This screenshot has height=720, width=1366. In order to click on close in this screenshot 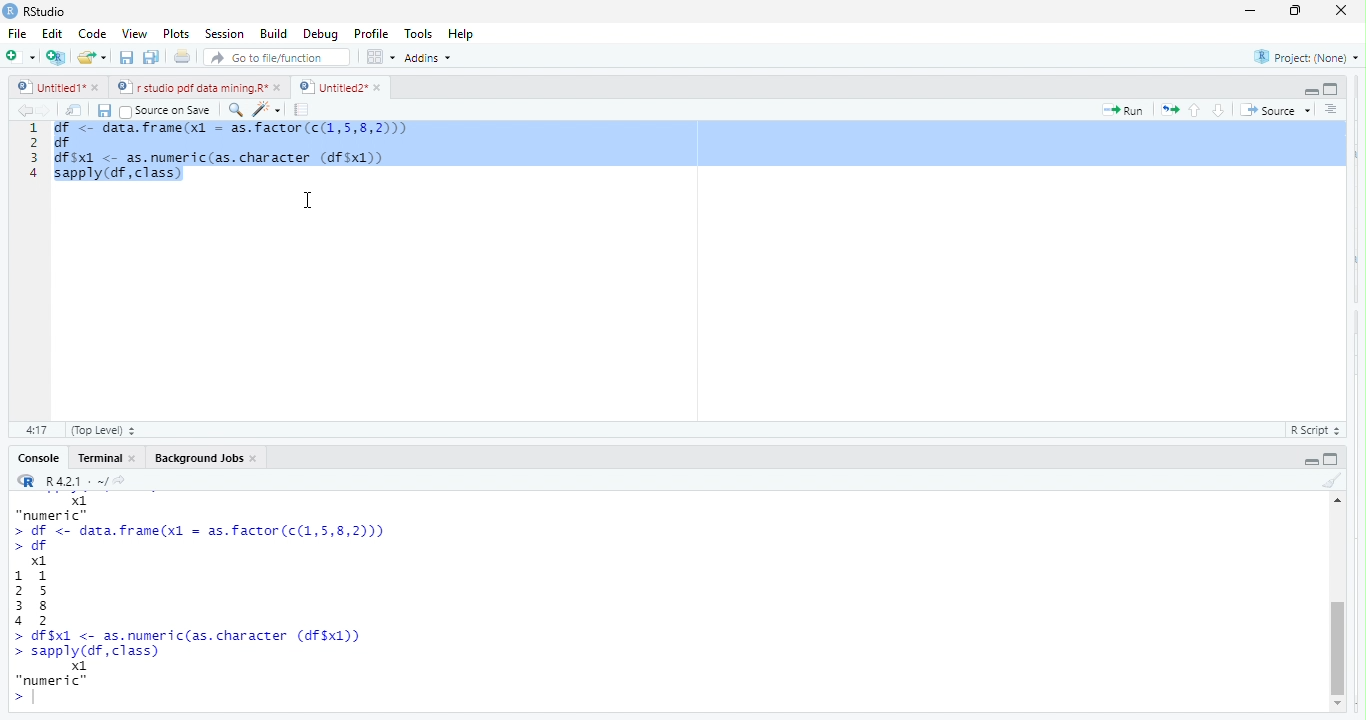, I will do `click(258, 459)`.